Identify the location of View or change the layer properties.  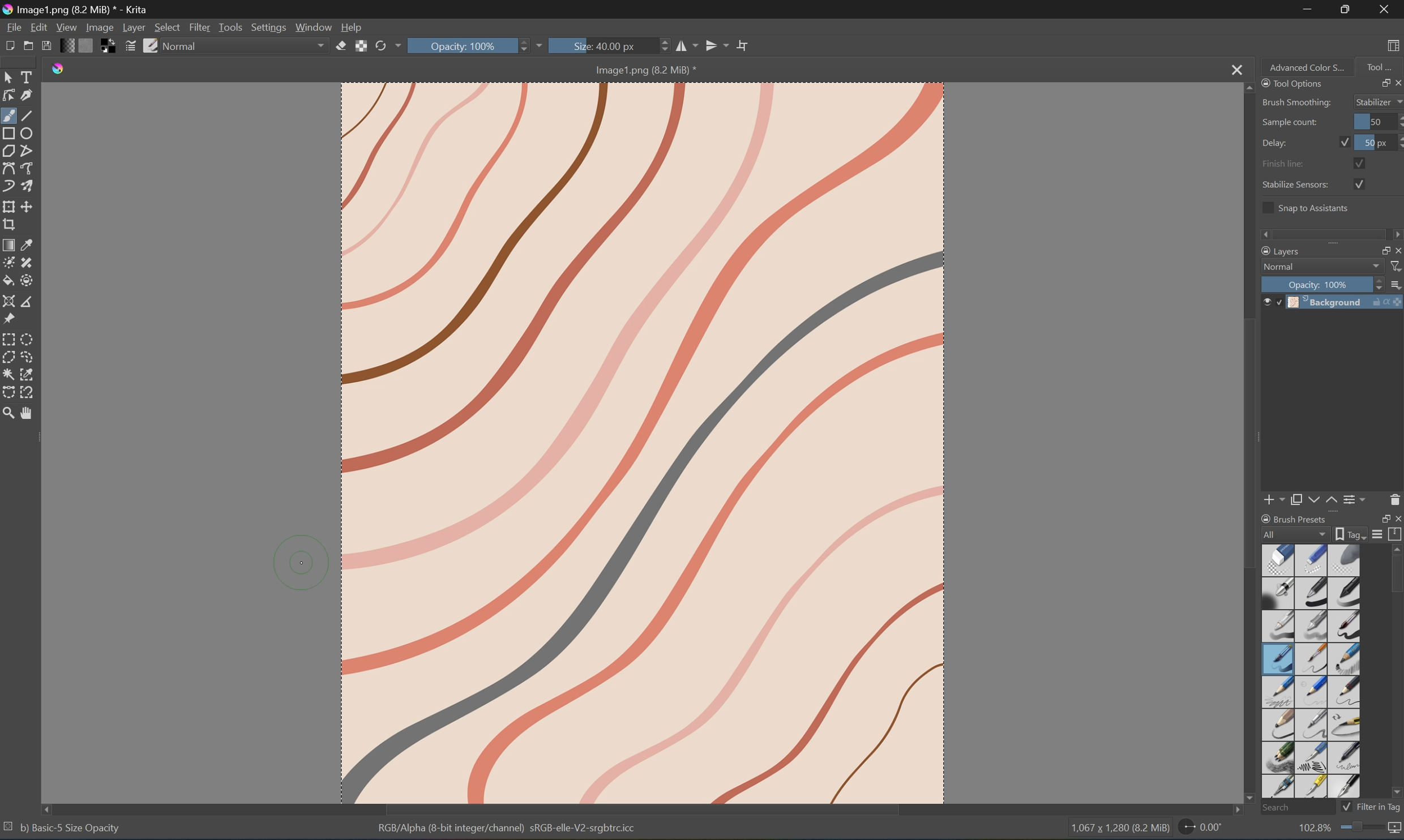
(1356, 498).